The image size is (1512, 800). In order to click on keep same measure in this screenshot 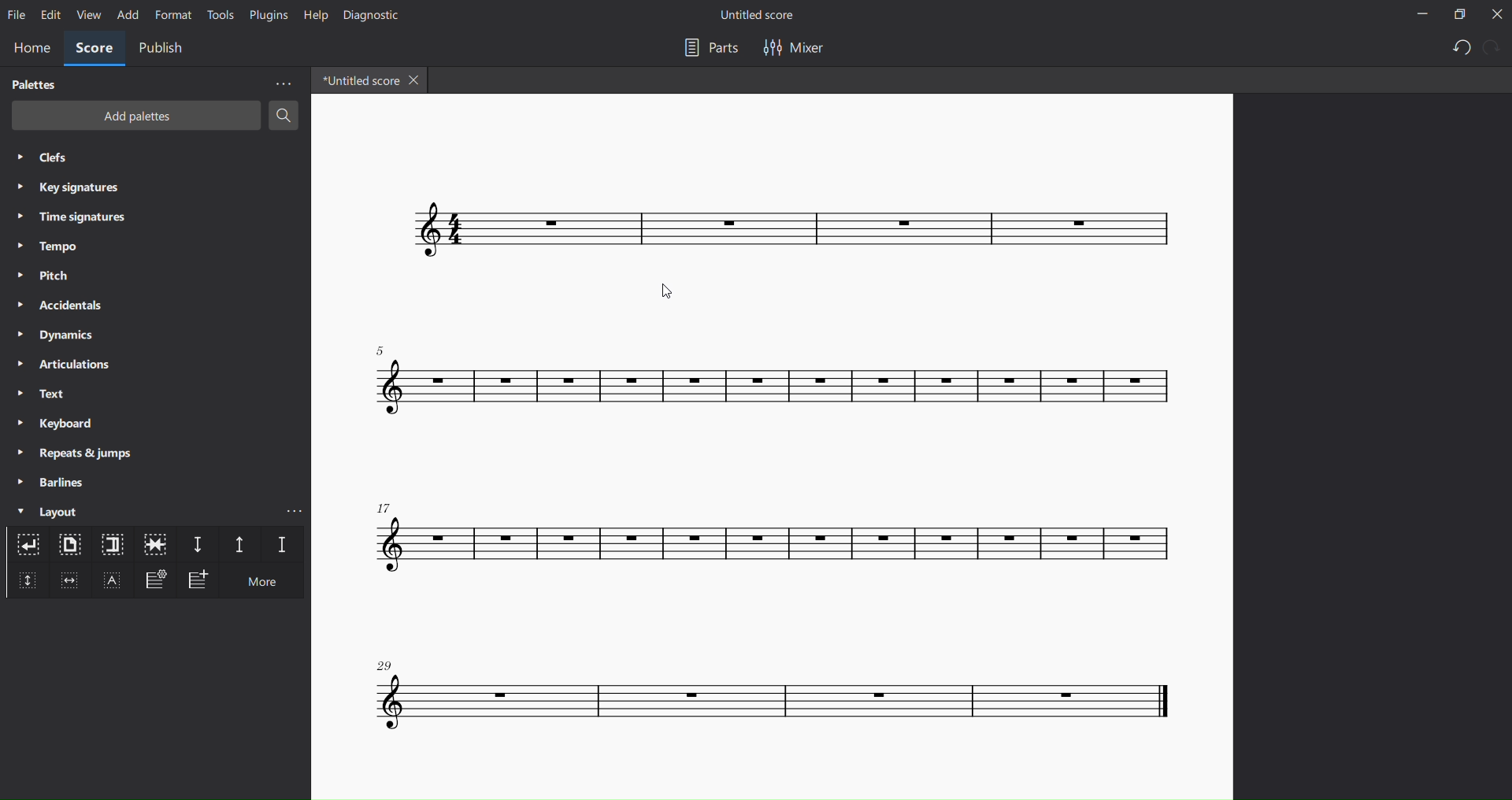, I will do `click(155, 545)`.